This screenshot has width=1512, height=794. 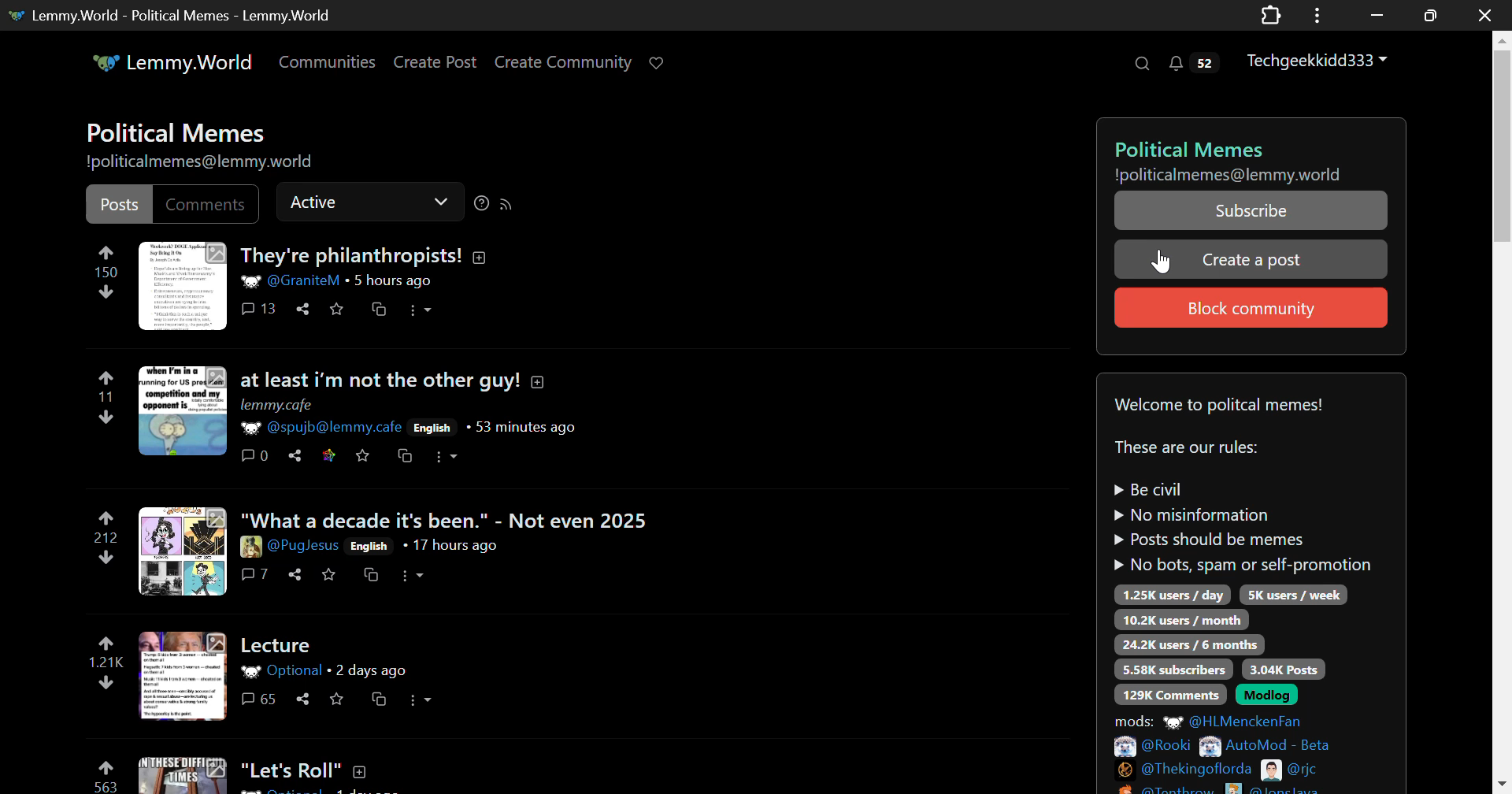 What do you see at coordinates (363, 254) in the screenshot?
I see `They're philanthropists!` at bounding box center [363, 254].